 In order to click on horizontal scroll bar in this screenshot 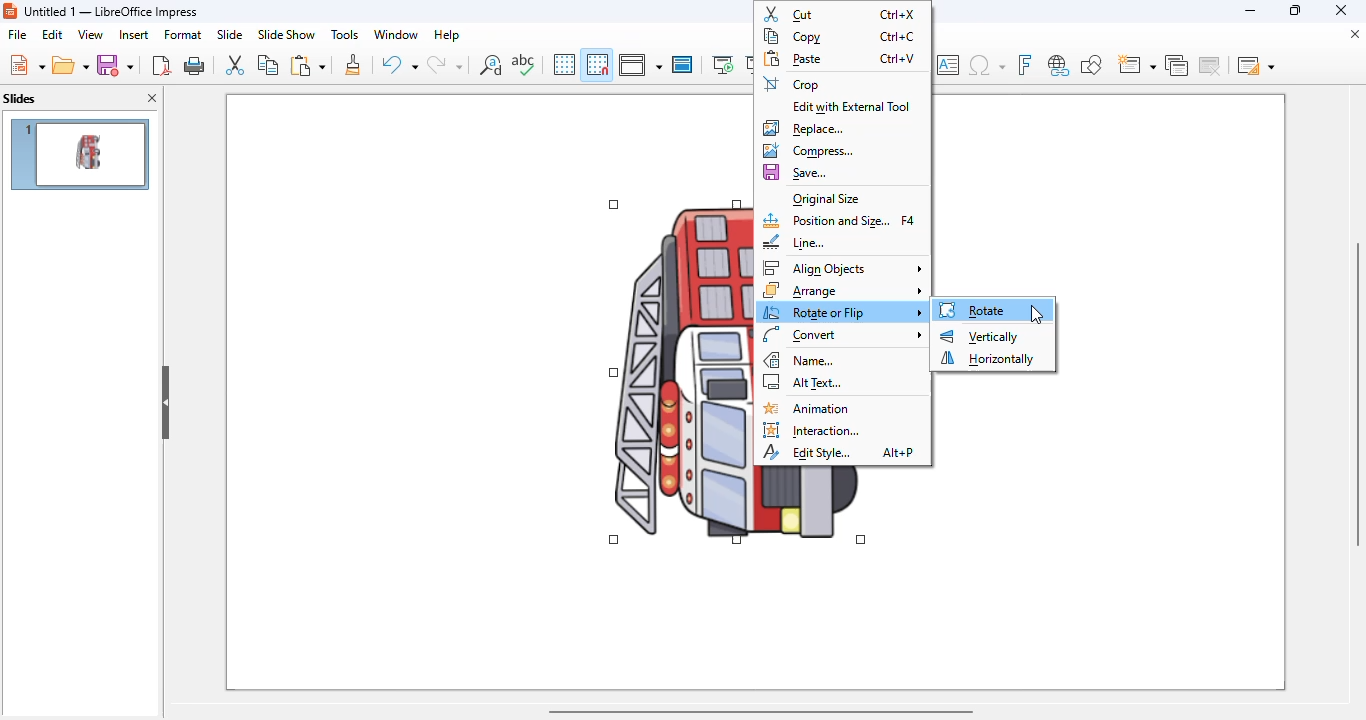, I will do `click(762, 712)`.